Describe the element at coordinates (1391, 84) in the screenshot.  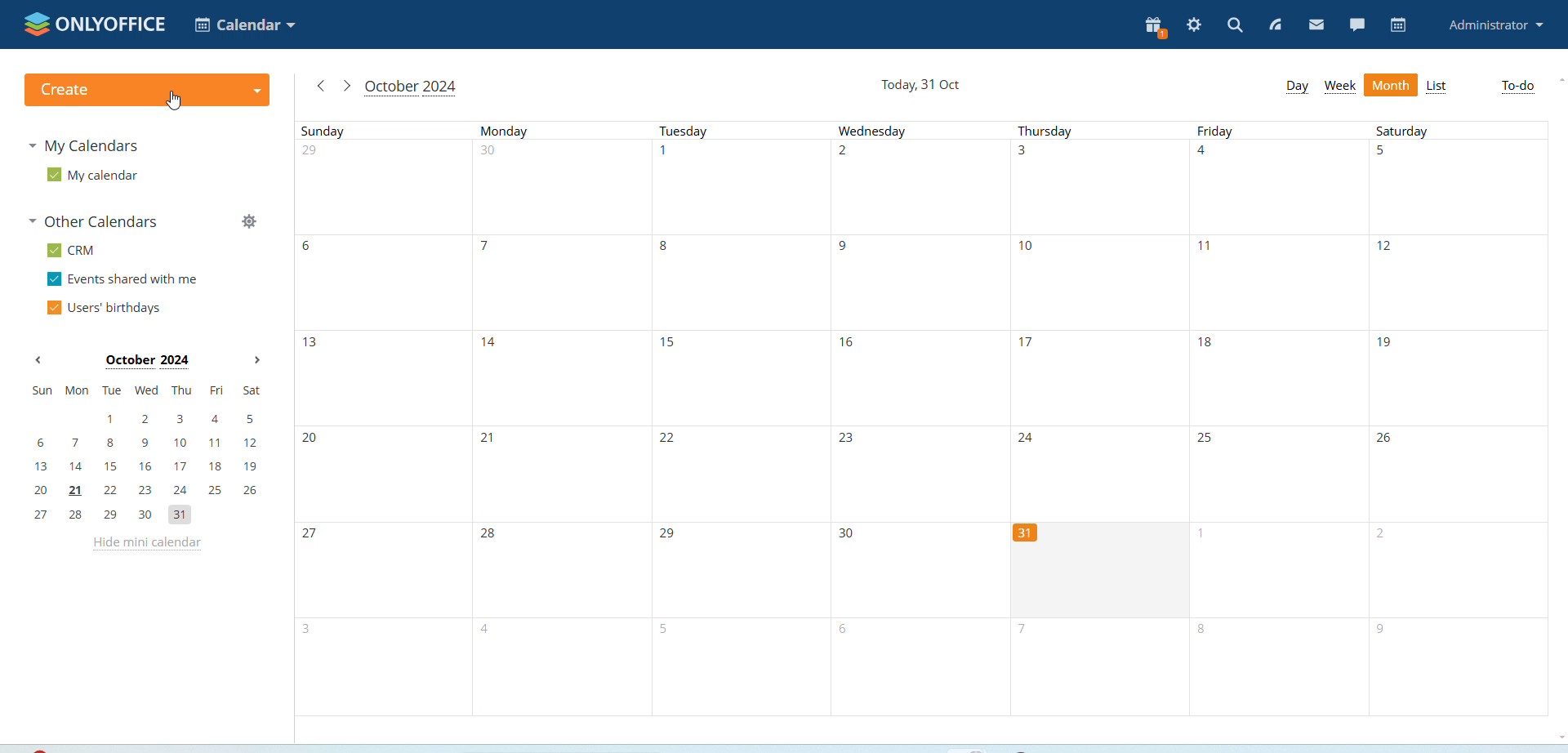
I see `month view` at that location.